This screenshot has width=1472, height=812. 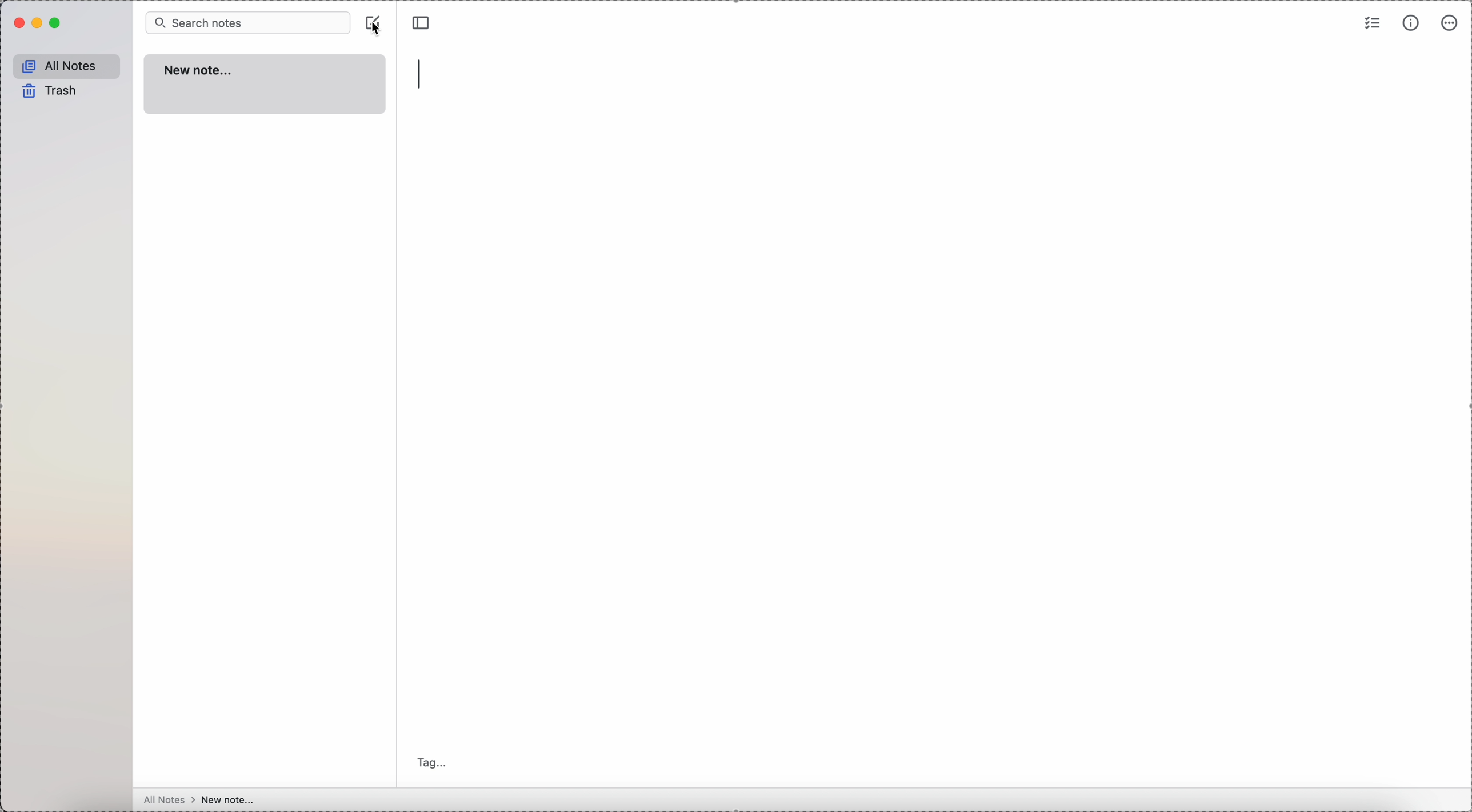 What do you see at coordinates (1371, 22) in the screenshot?
I see `check list` at bounding box center [1371, 22].